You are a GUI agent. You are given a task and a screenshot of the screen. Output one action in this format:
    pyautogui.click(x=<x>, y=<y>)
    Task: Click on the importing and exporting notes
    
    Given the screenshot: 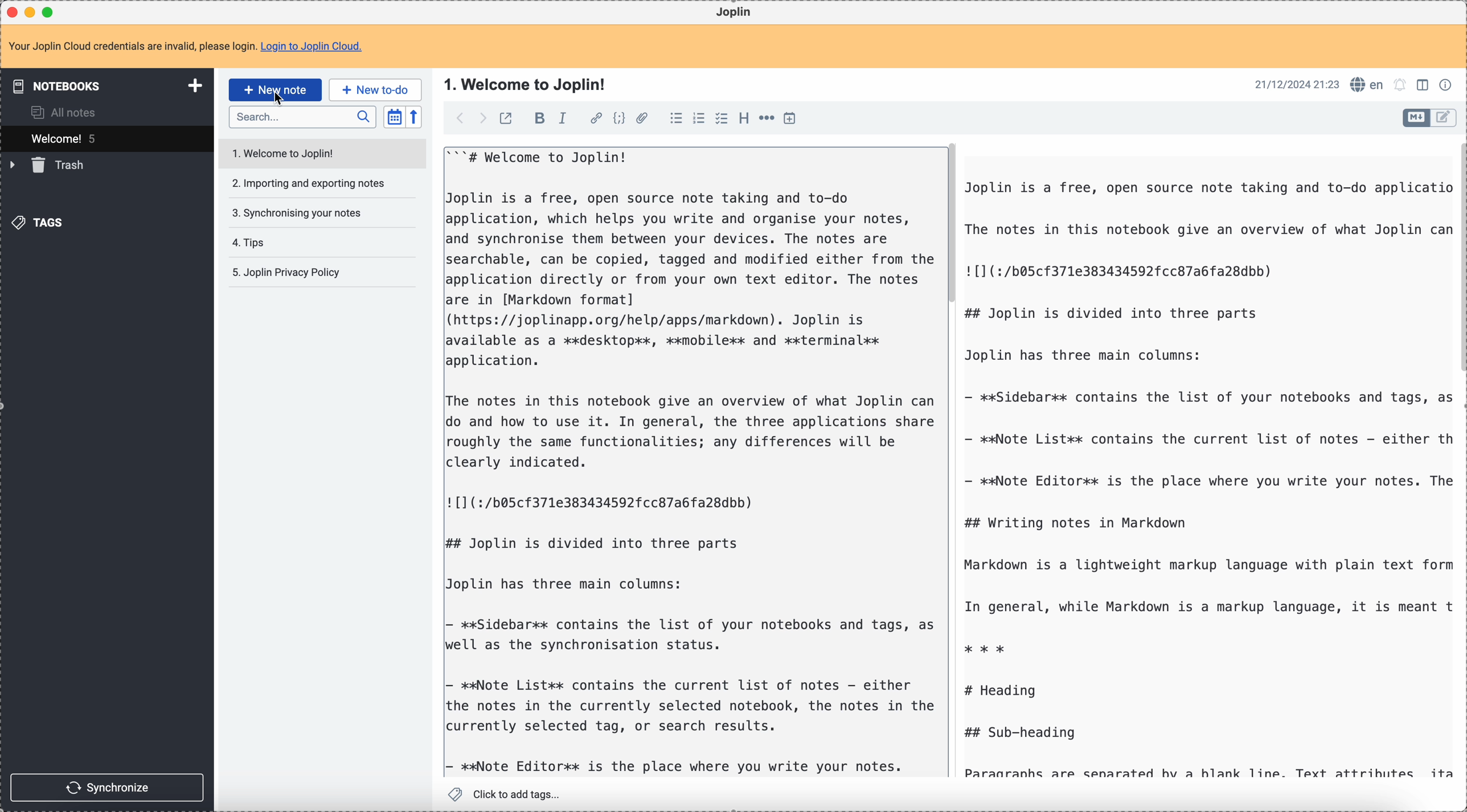 What is the action you would take?
    pyautogui.click(x=310, y=186)
    